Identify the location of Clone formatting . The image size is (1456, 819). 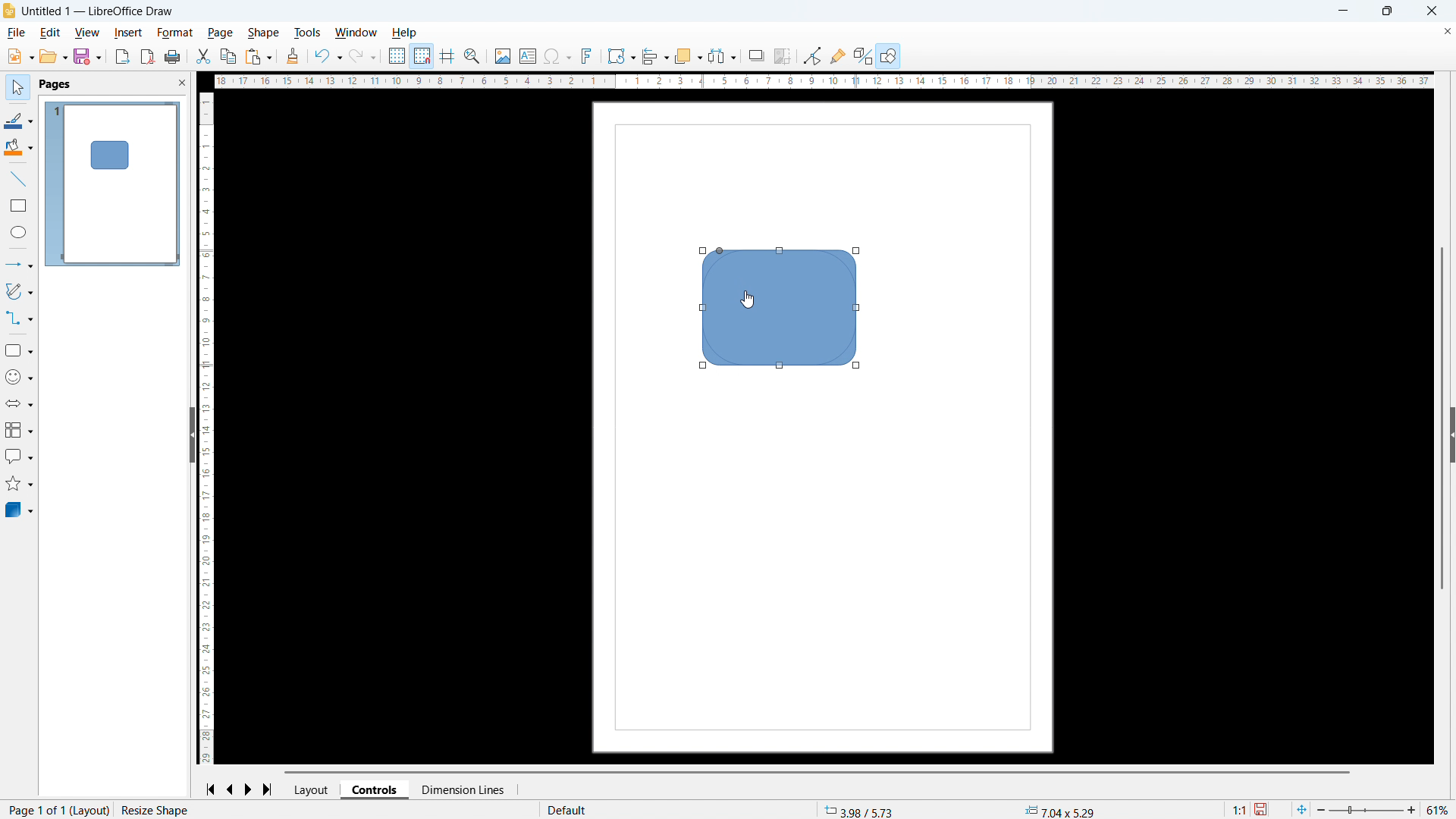
(293, 57).